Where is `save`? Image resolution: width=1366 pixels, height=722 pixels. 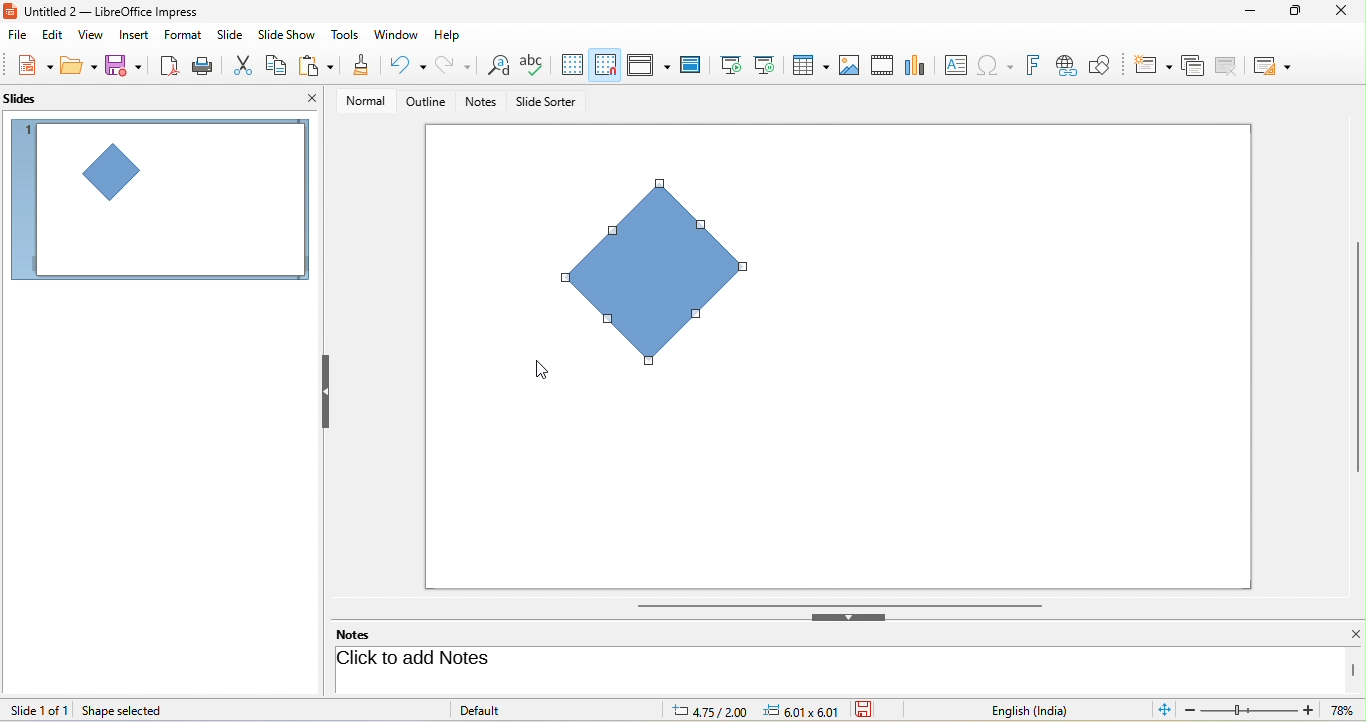
save is located at coordinates (871, 710).